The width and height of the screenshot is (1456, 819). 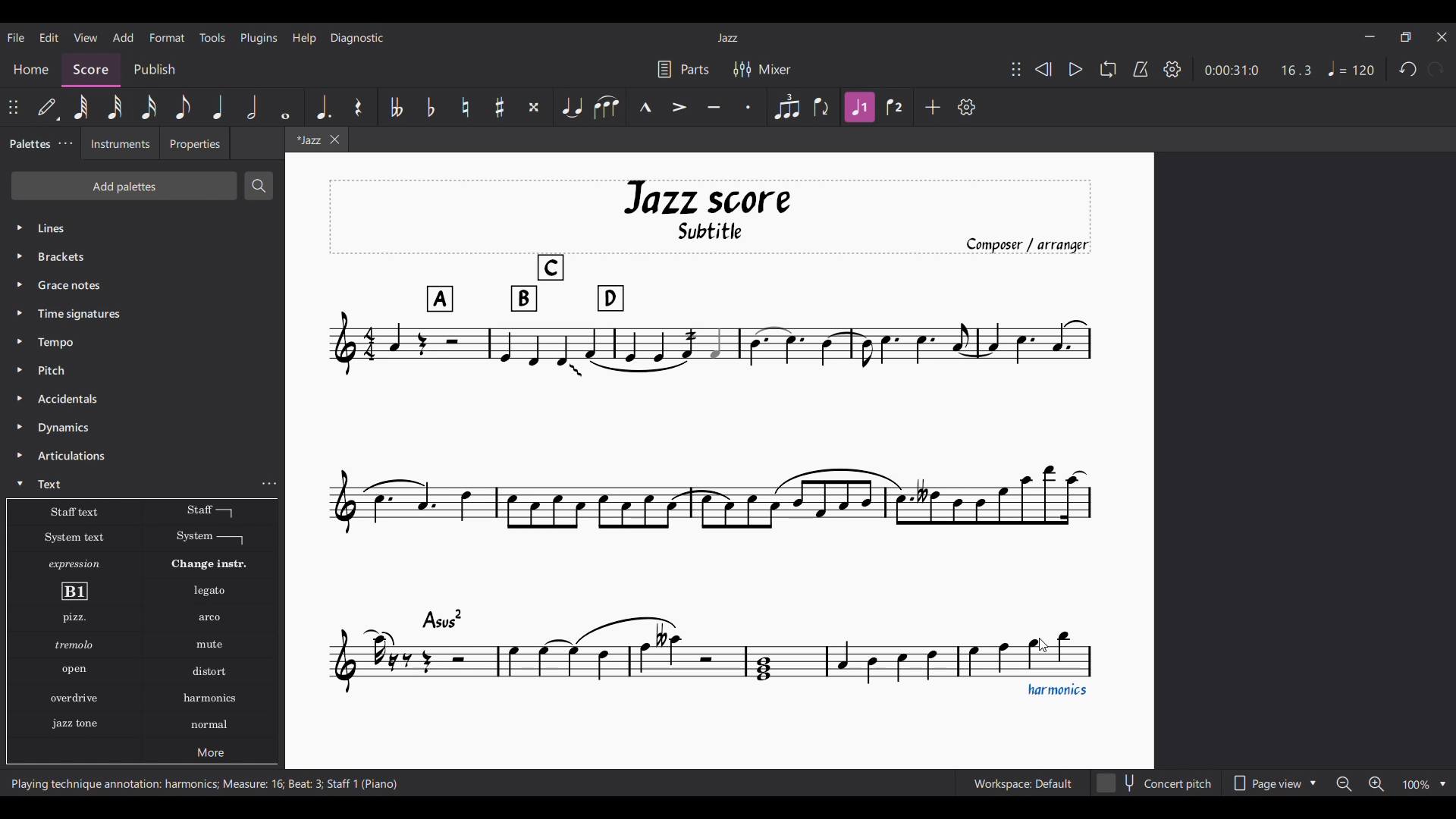 I want to click on Quarter note, so click(x=218, y=107).